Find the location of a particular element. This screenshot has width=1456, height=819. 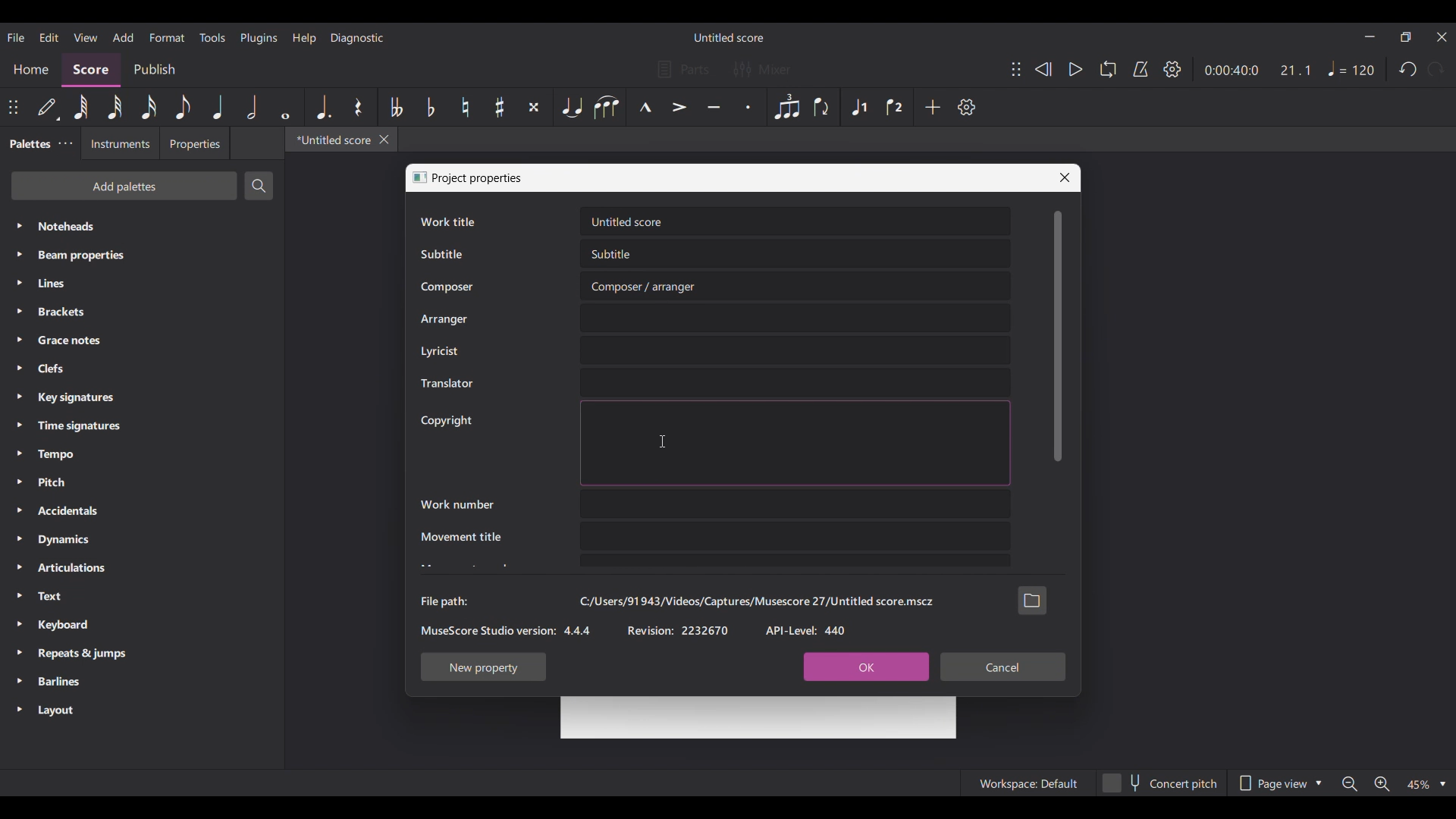

Marcato is located at coordinates (645, 107).